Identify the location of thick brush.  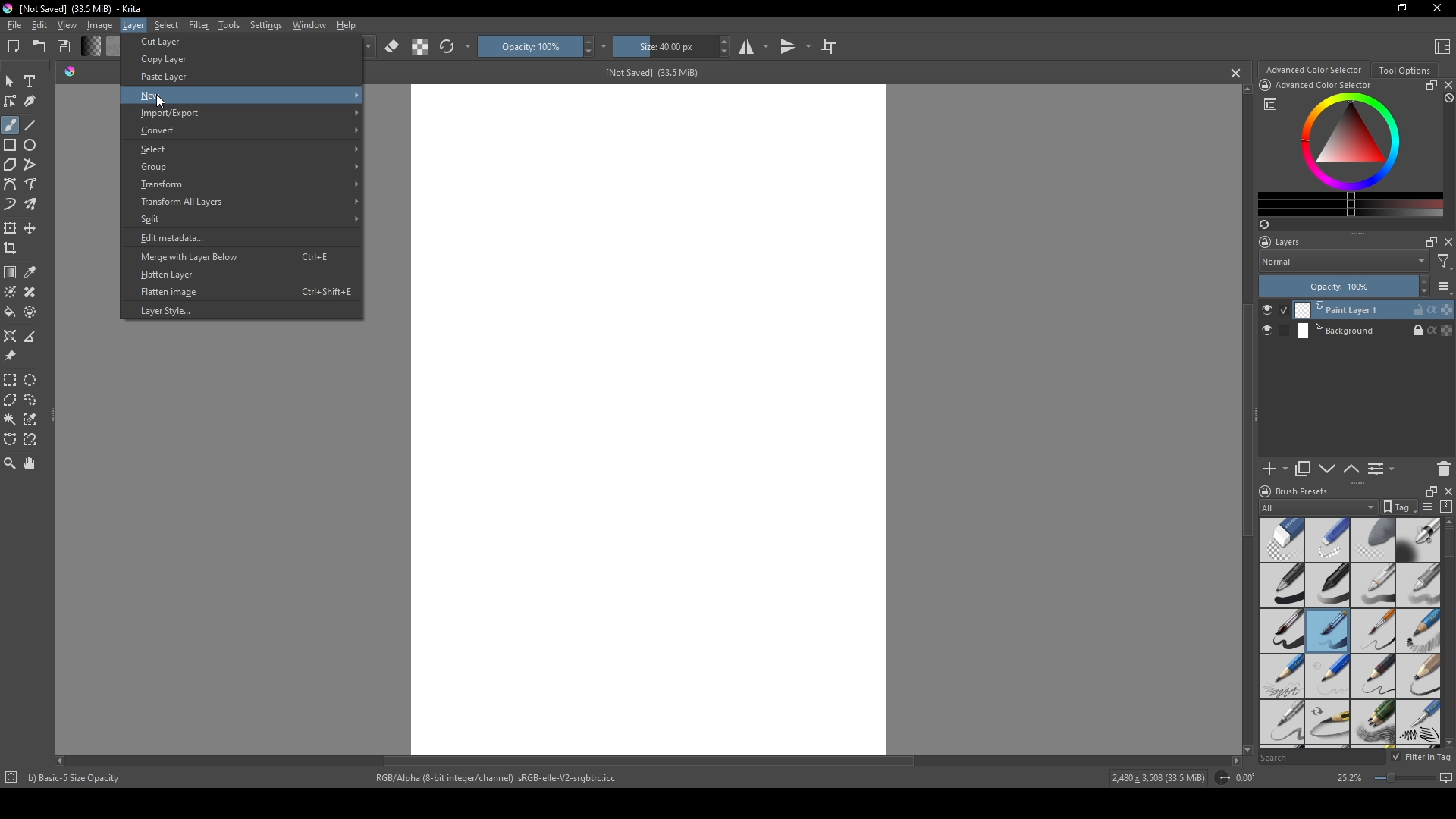
(1282, 632).